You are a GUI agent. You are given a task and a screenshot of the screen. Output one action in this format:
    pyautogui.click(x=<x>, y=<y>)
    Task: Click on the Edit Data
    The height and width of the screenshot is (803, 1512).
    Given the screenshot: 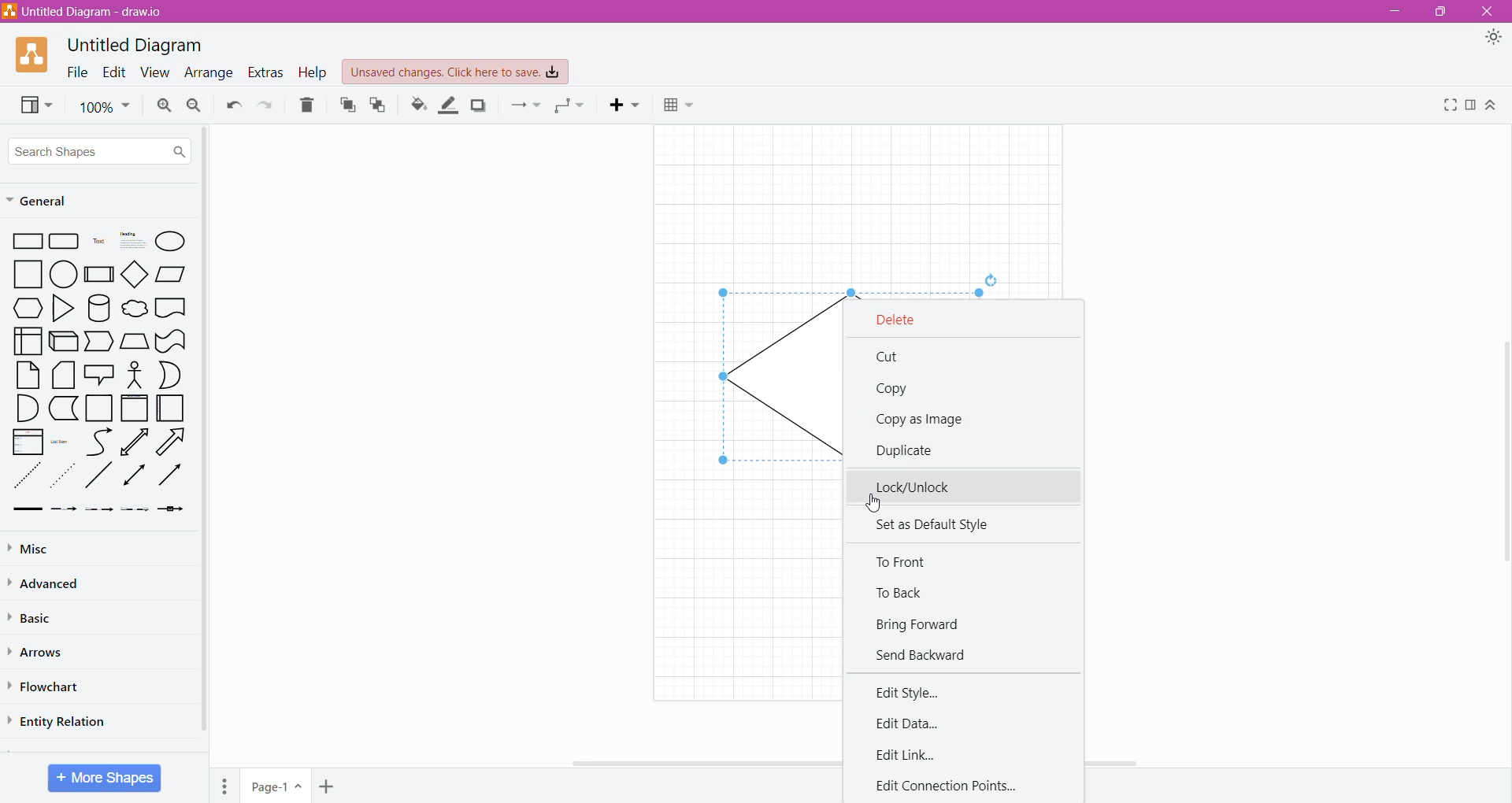 What is the action you would take?
    pyautogui.click(x=910, y=722)
    